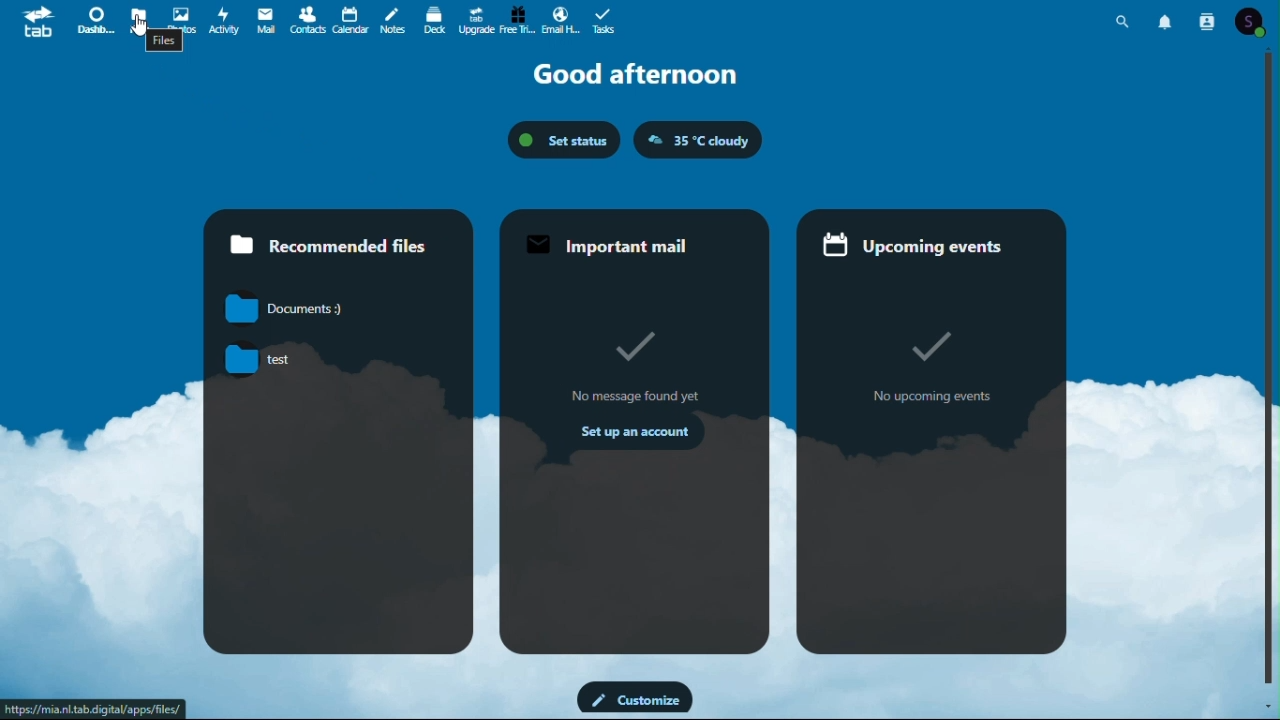  What do you see at coordinates (95, 18) in the screenshot?
I see `Dashboard` at bounding box center [95, 18].